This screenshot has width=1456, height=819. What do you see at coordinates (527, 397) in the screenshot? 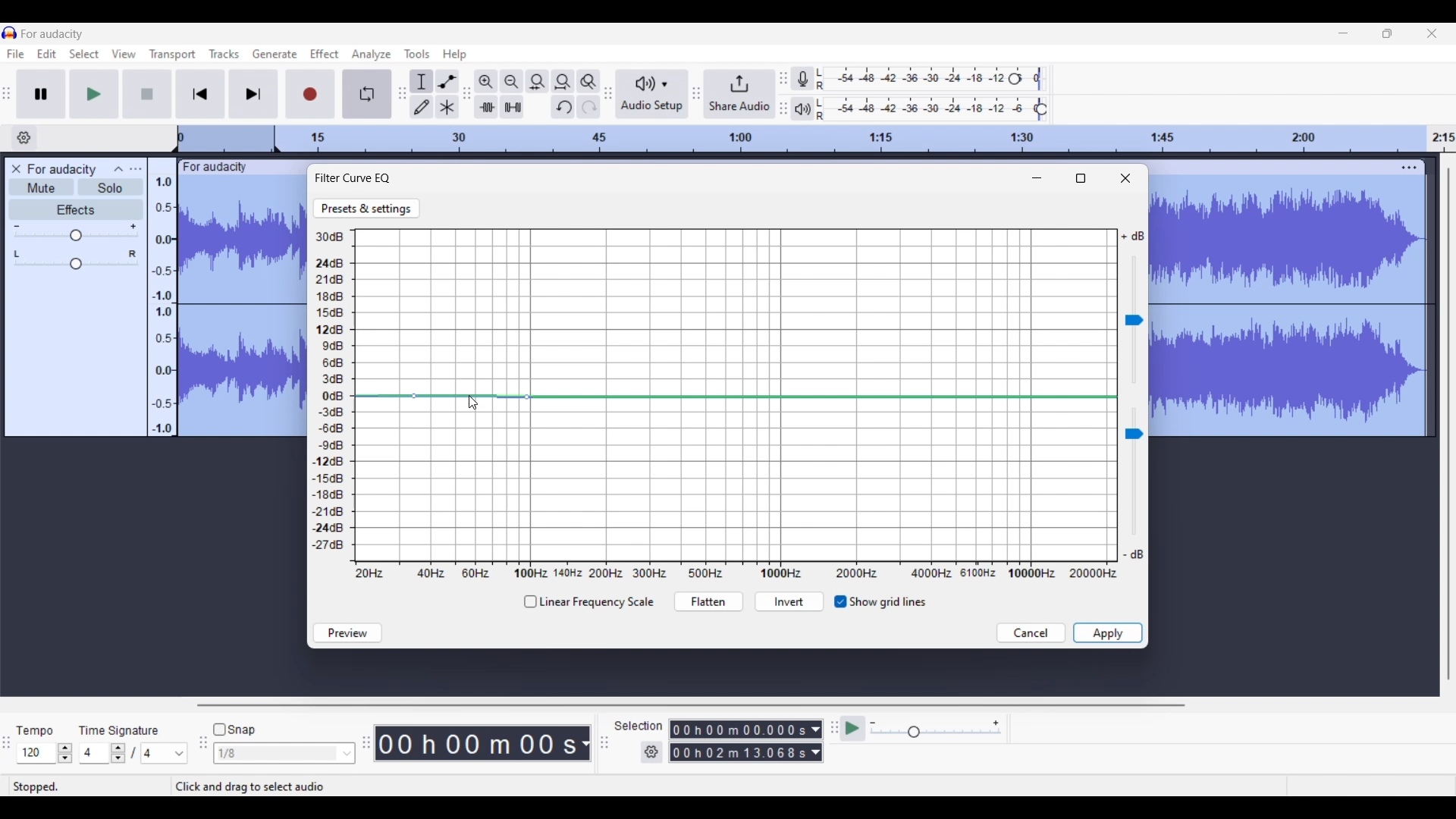
I see `Another point added to graph` at bounding box center [527, 397].